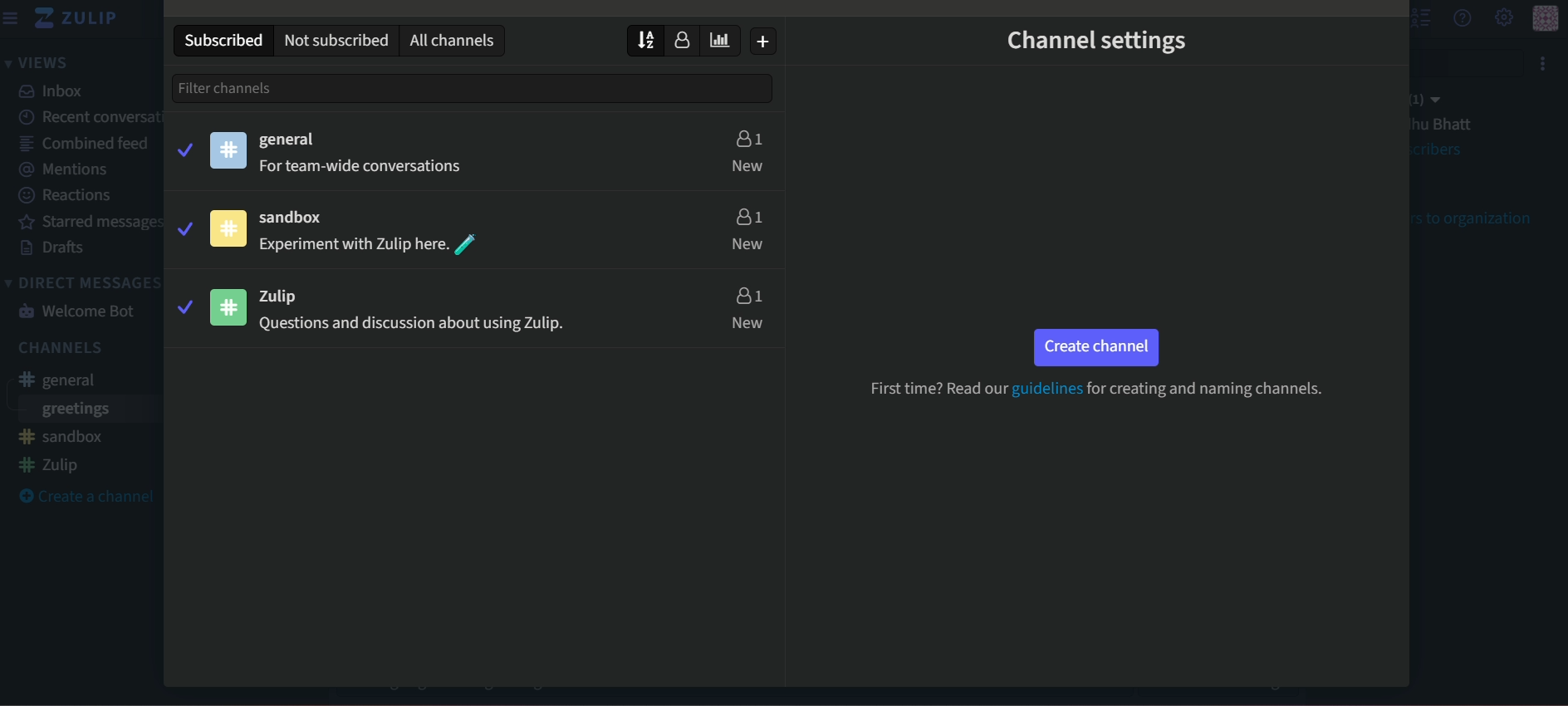  I want to click on tick, so click(186, 306).